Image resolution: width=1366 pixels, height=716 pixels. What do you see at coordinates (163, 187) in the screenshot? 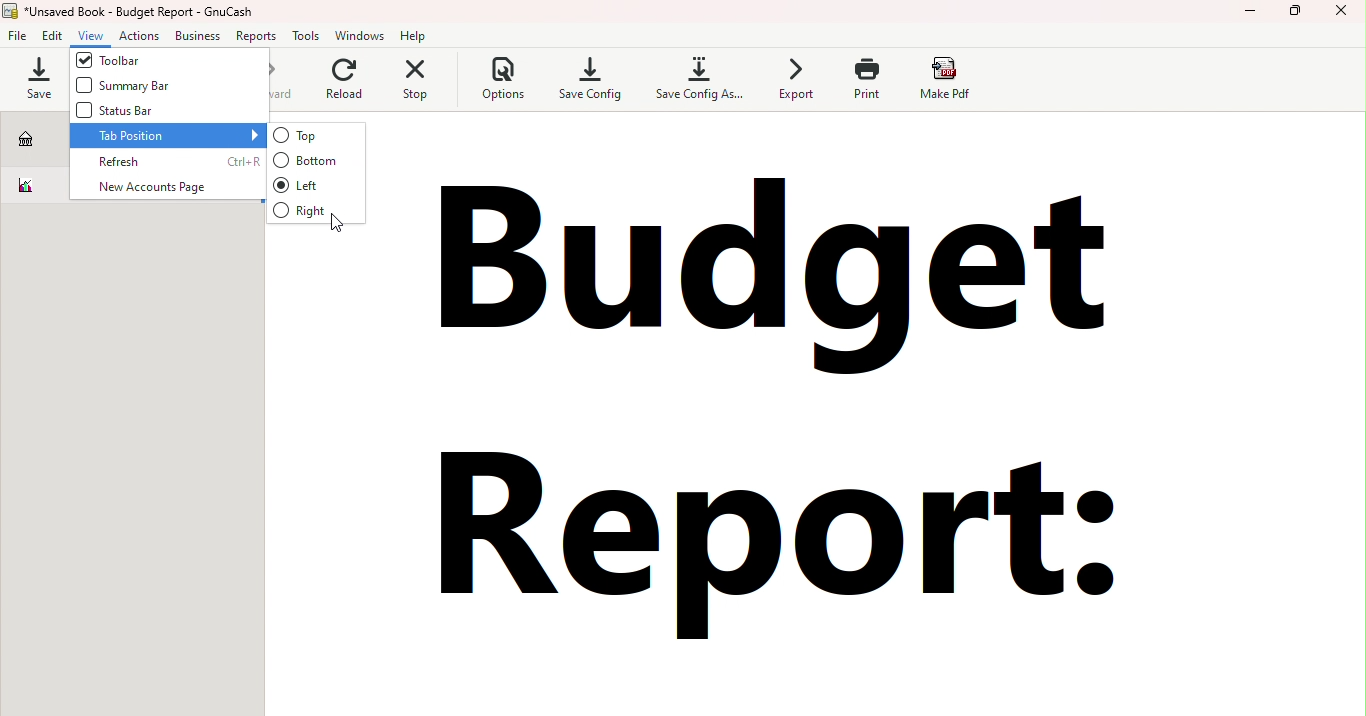
I see `New accounts page` at bounding box center [163, 187].